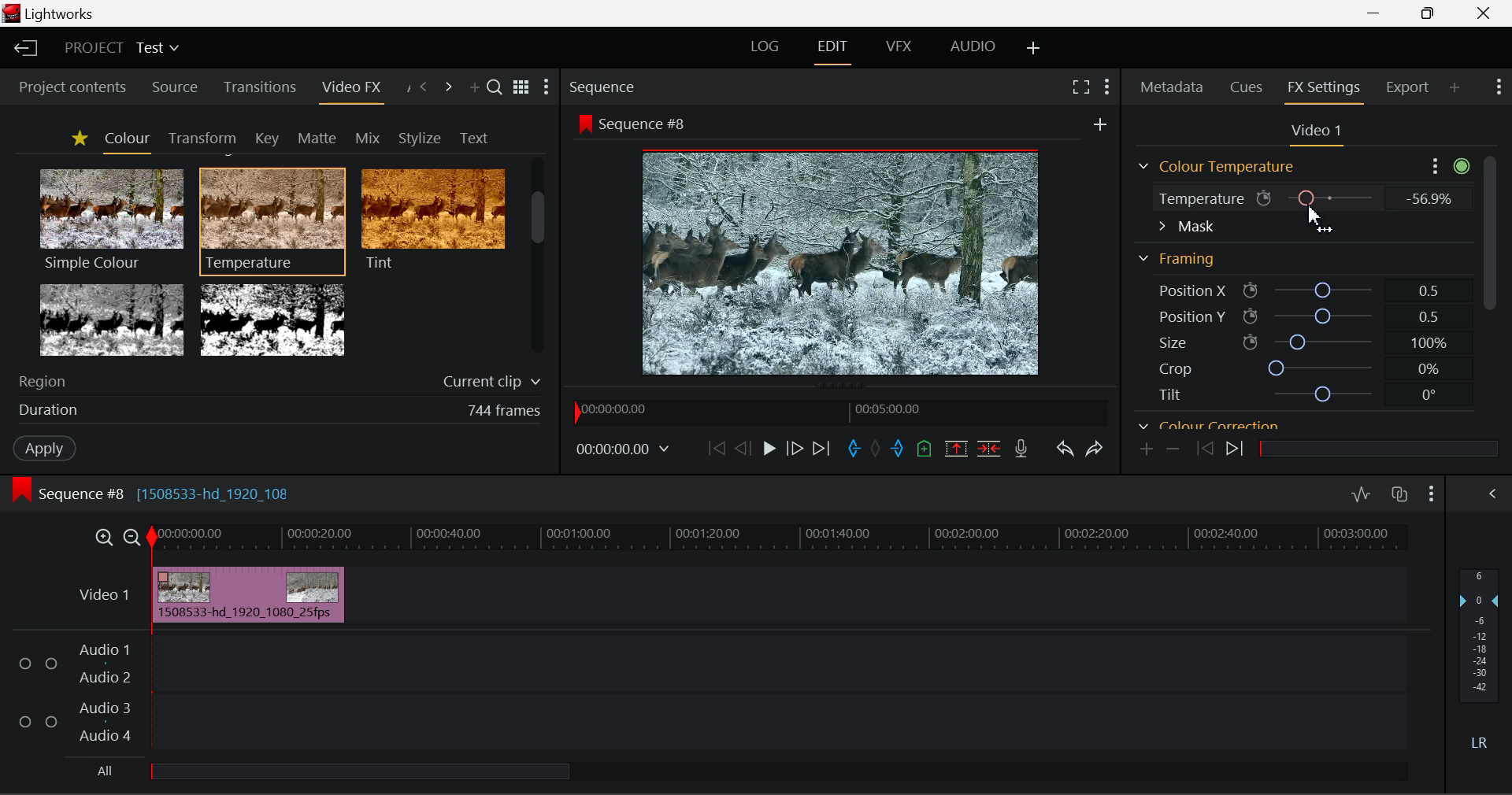 This screenshot has height=795, width=1512. Describe the element at coordinates (102, 708) in the screenshot. I see `Audio 3` at that location.